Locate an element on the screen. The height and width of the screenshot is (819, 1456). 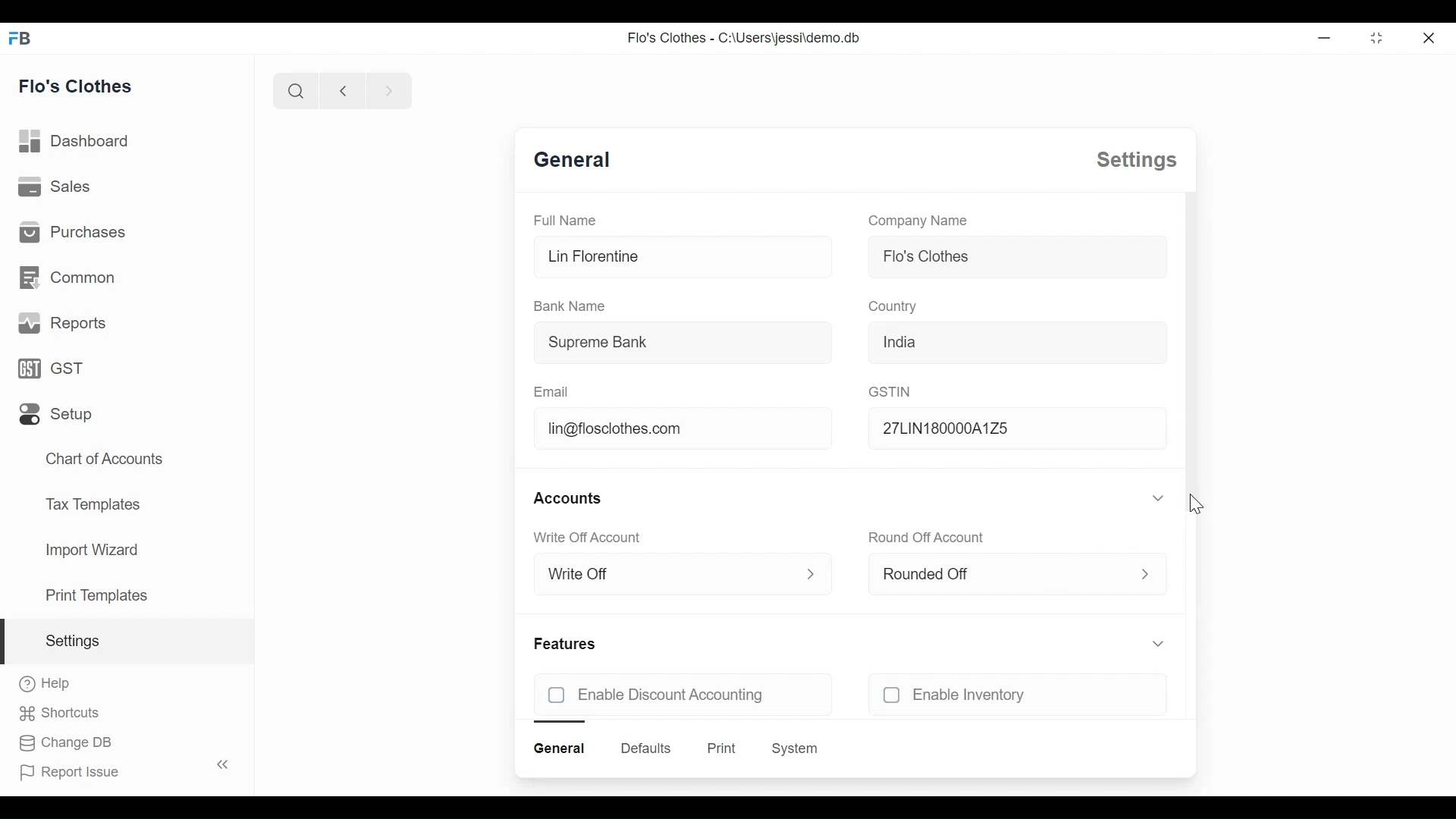
Navigate is located at coordinates (387, 89).